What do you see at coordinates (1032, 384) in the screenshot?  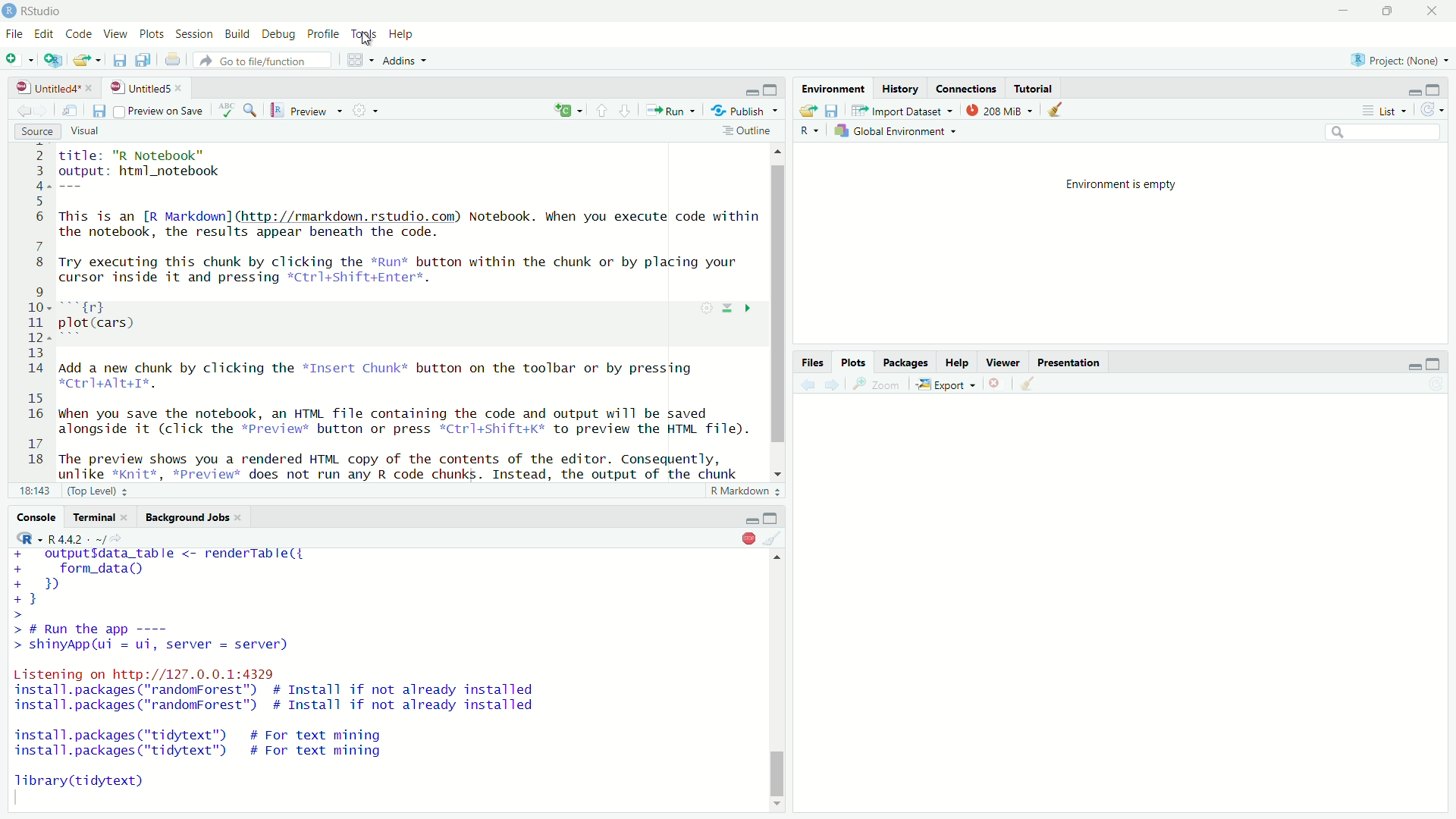 I see `clear object` at bounding box center [1032, 384].